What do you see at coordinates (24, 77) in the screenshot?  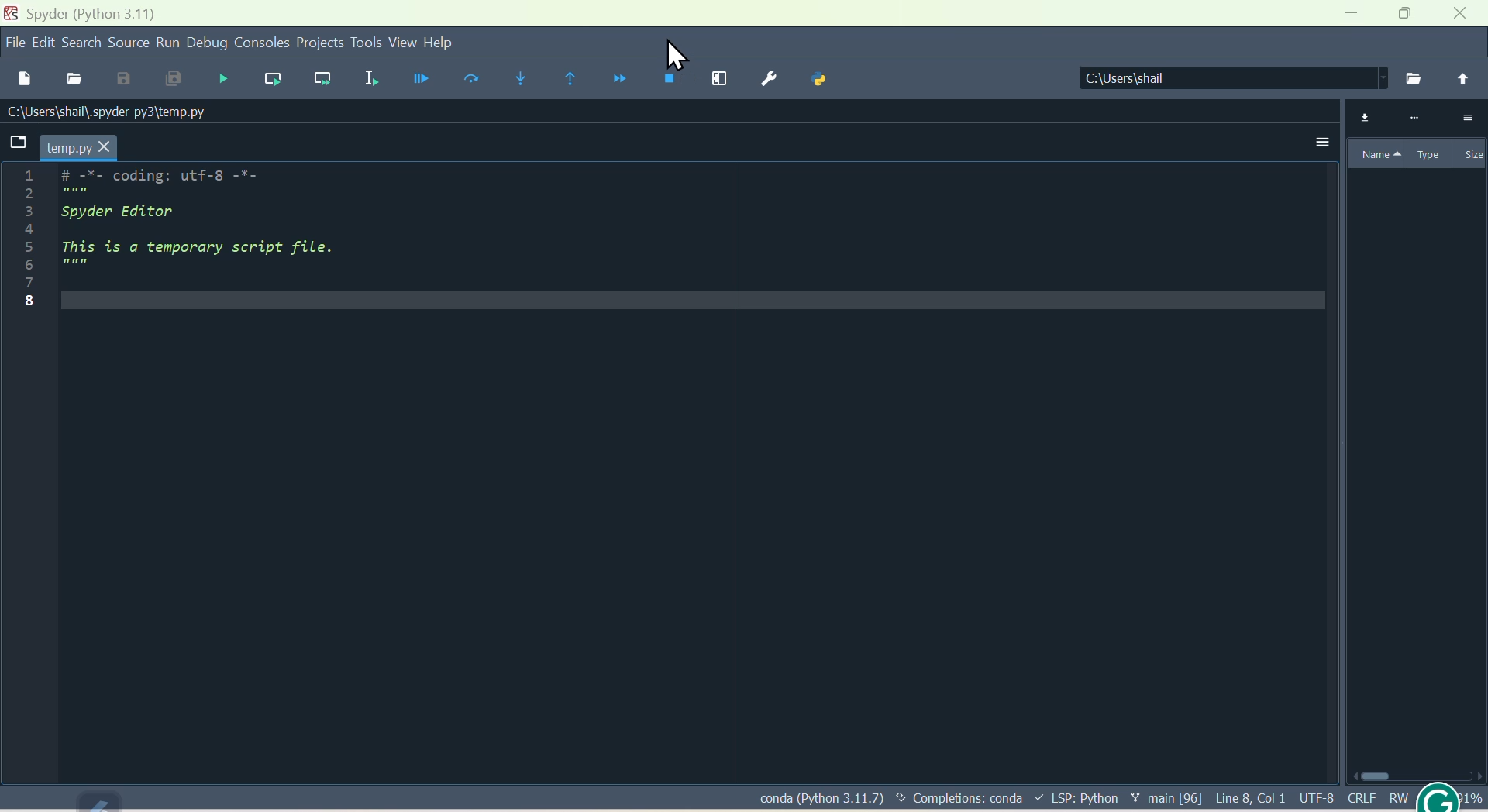 I see `New files` at bounding box center [24, 77].